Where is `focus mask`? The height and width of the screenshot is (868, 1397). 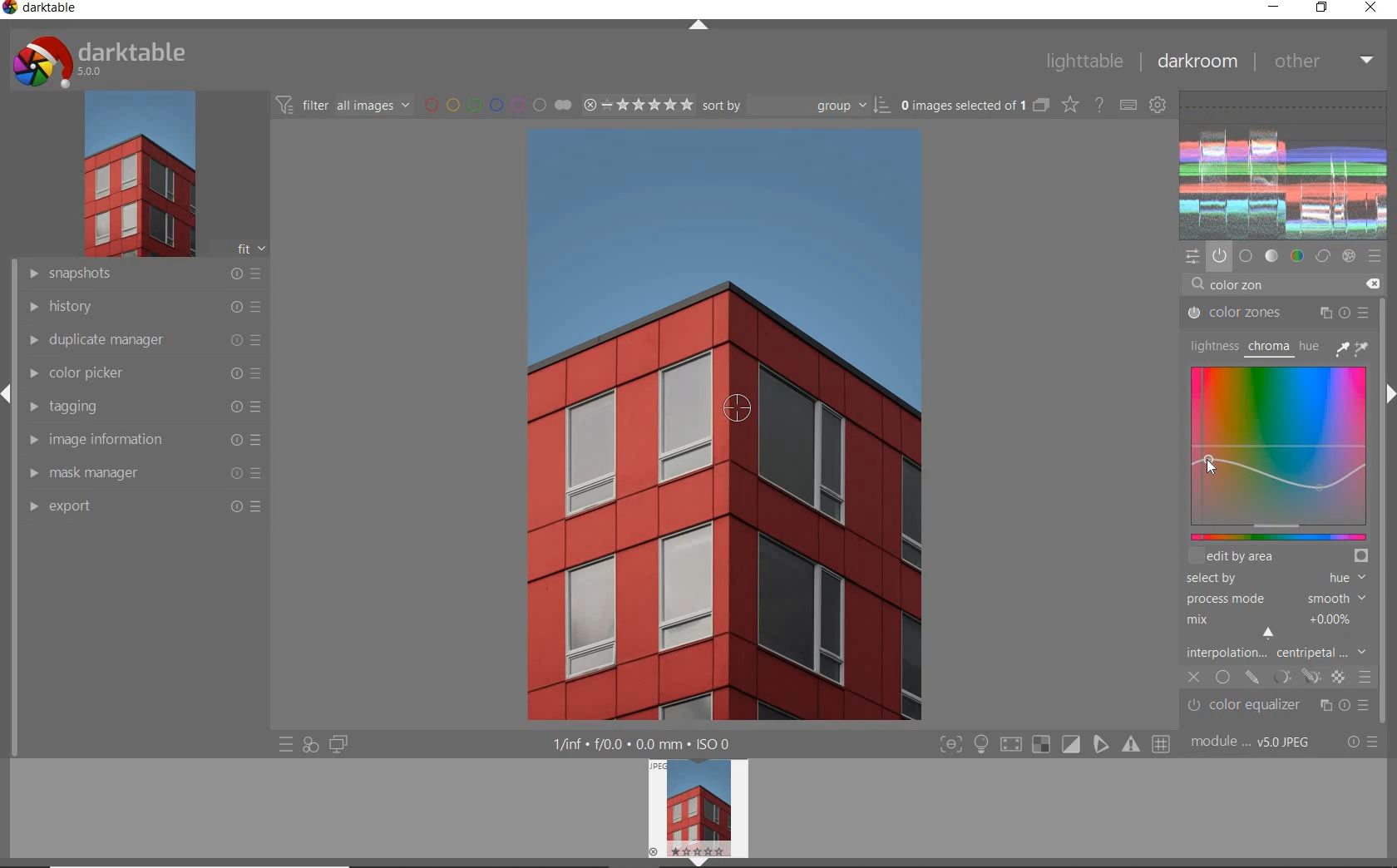 focus mask is located at coordinates (1128, 745).